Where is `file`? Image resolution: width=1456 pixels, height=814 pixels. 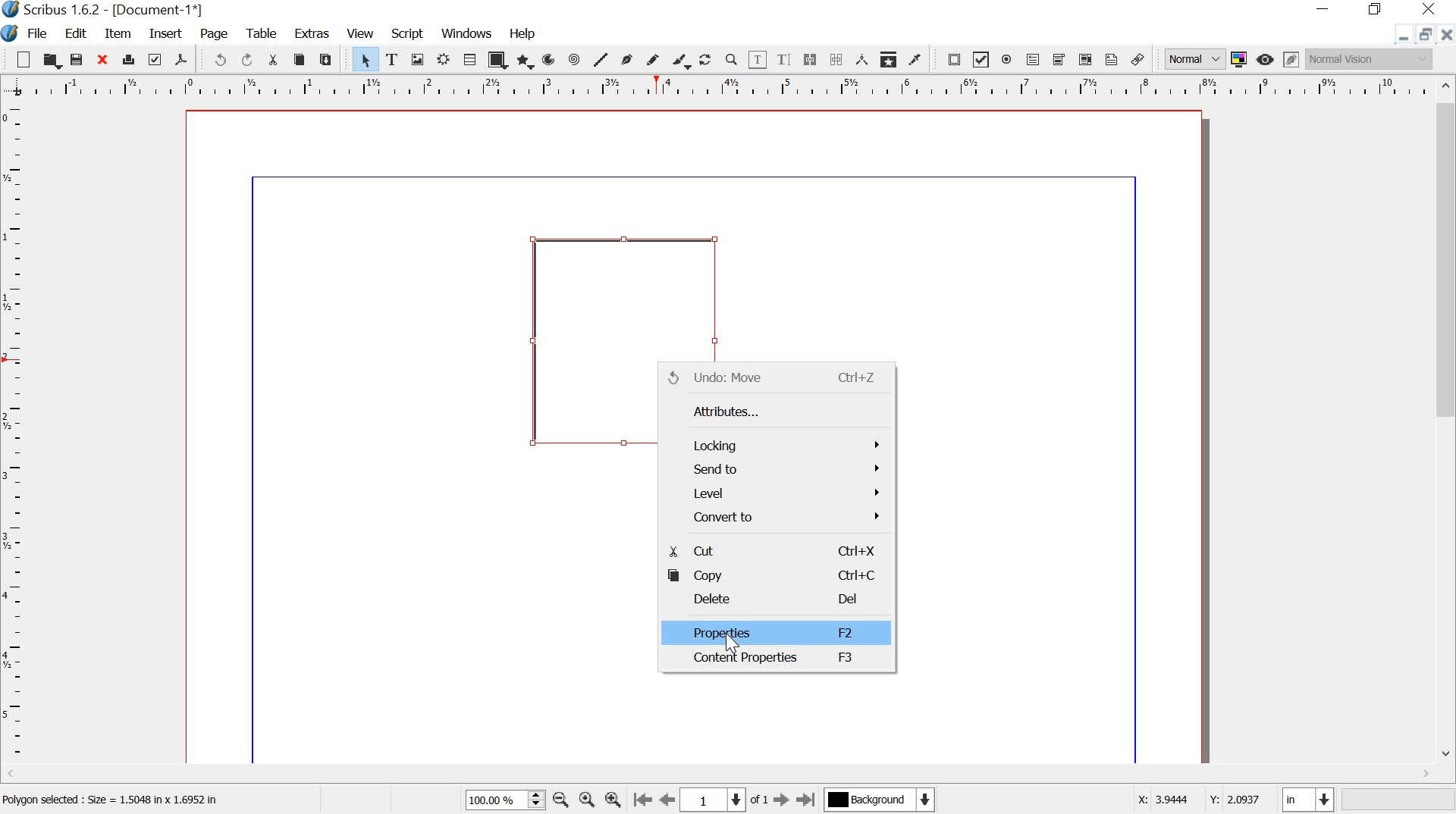 file is located at coordinates (38, 33).